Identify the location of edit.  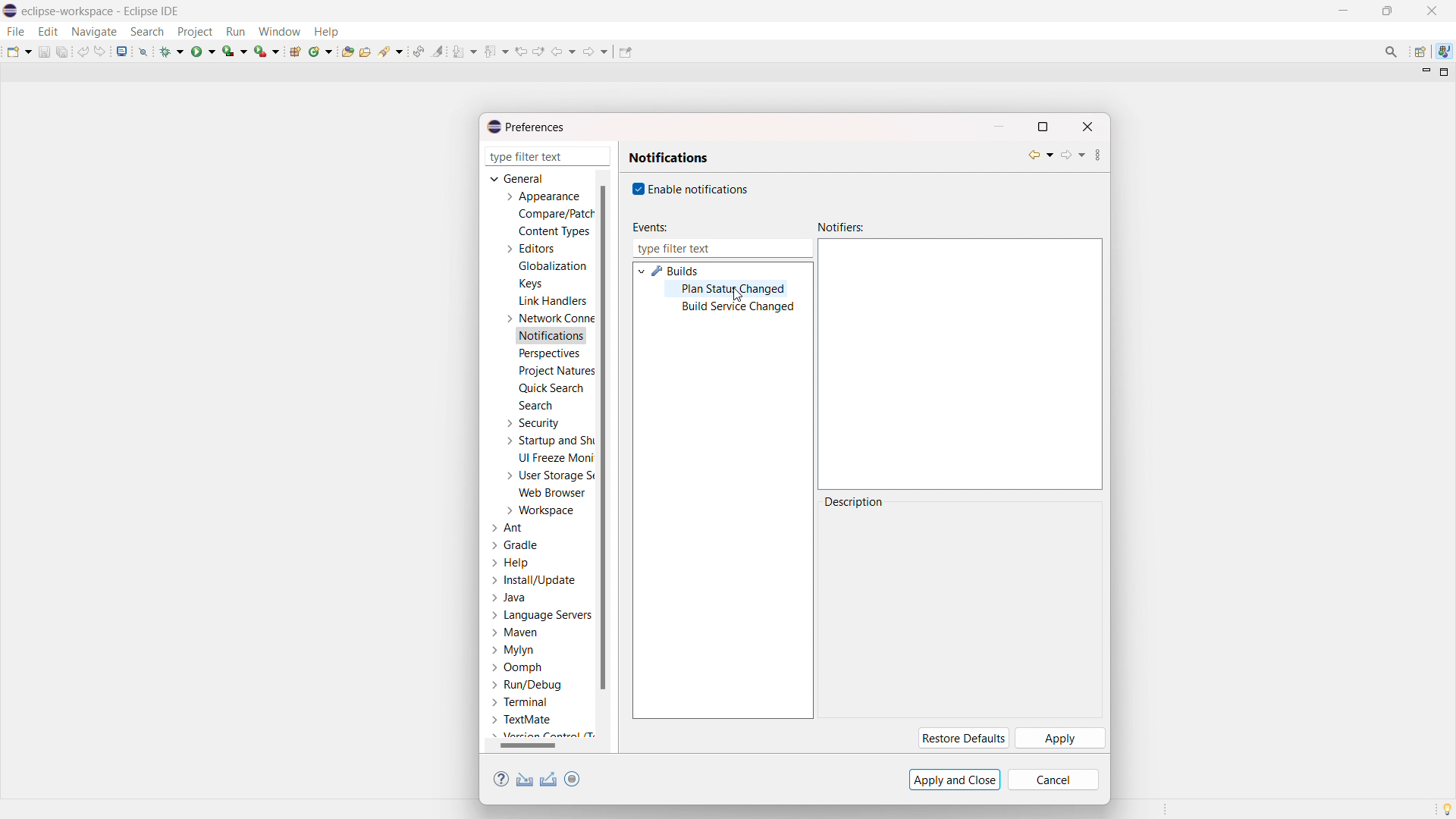
(47, 32).